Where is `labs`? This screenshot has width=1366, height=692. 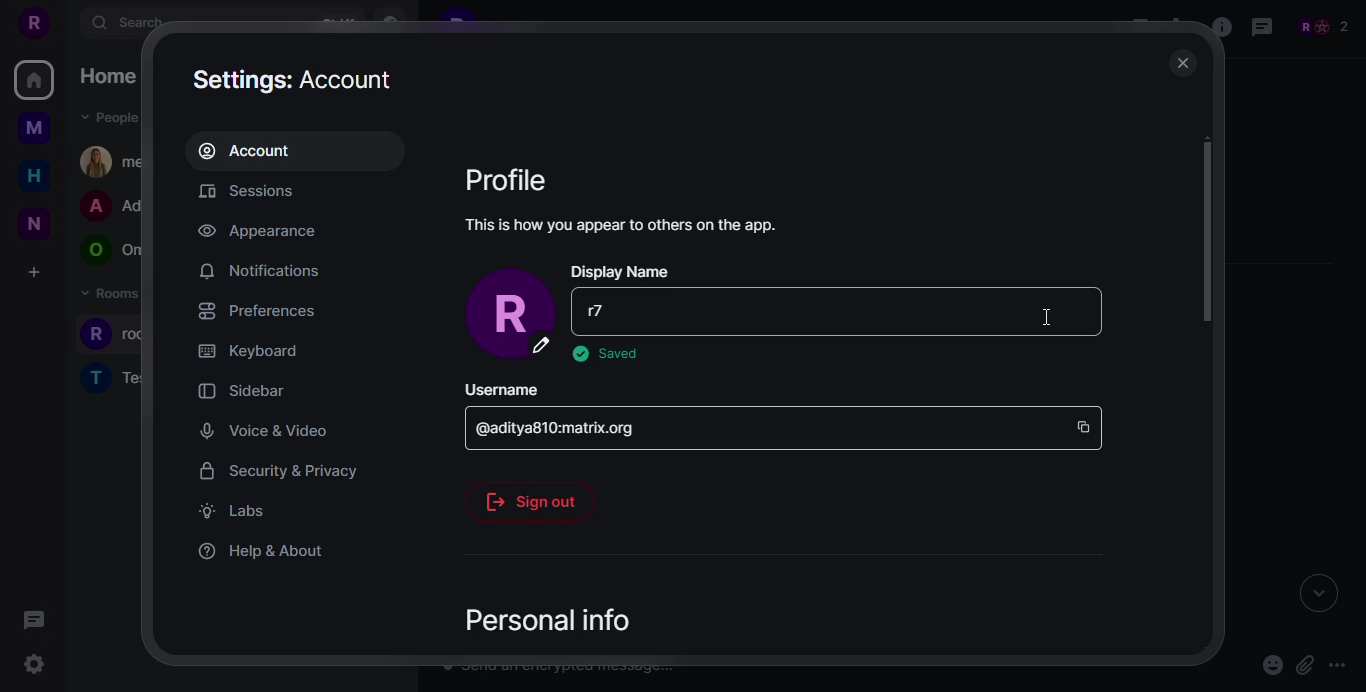
labs is located at coordinates (233, 510).